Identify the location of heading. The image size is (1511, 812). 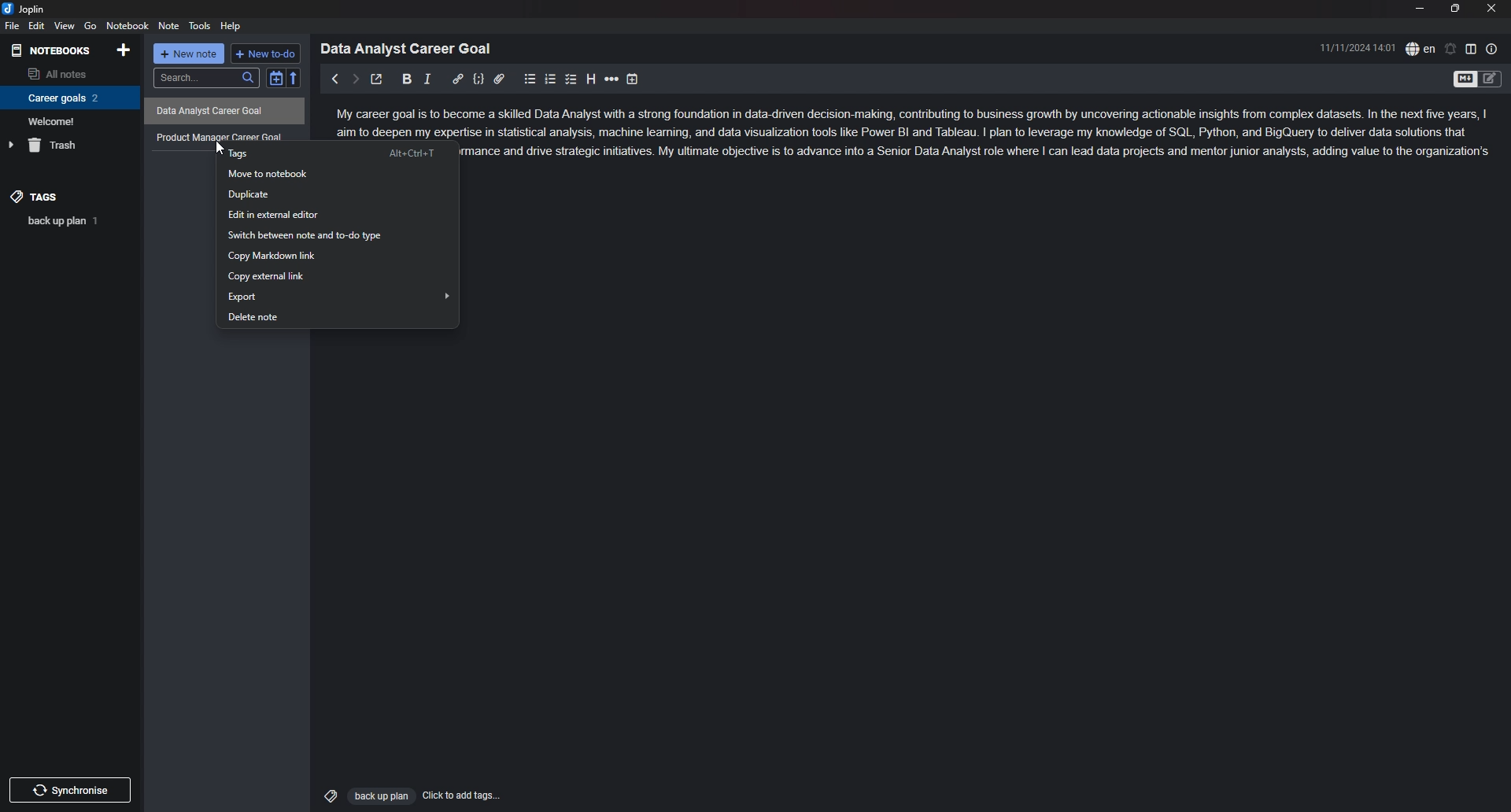
(591, 79).